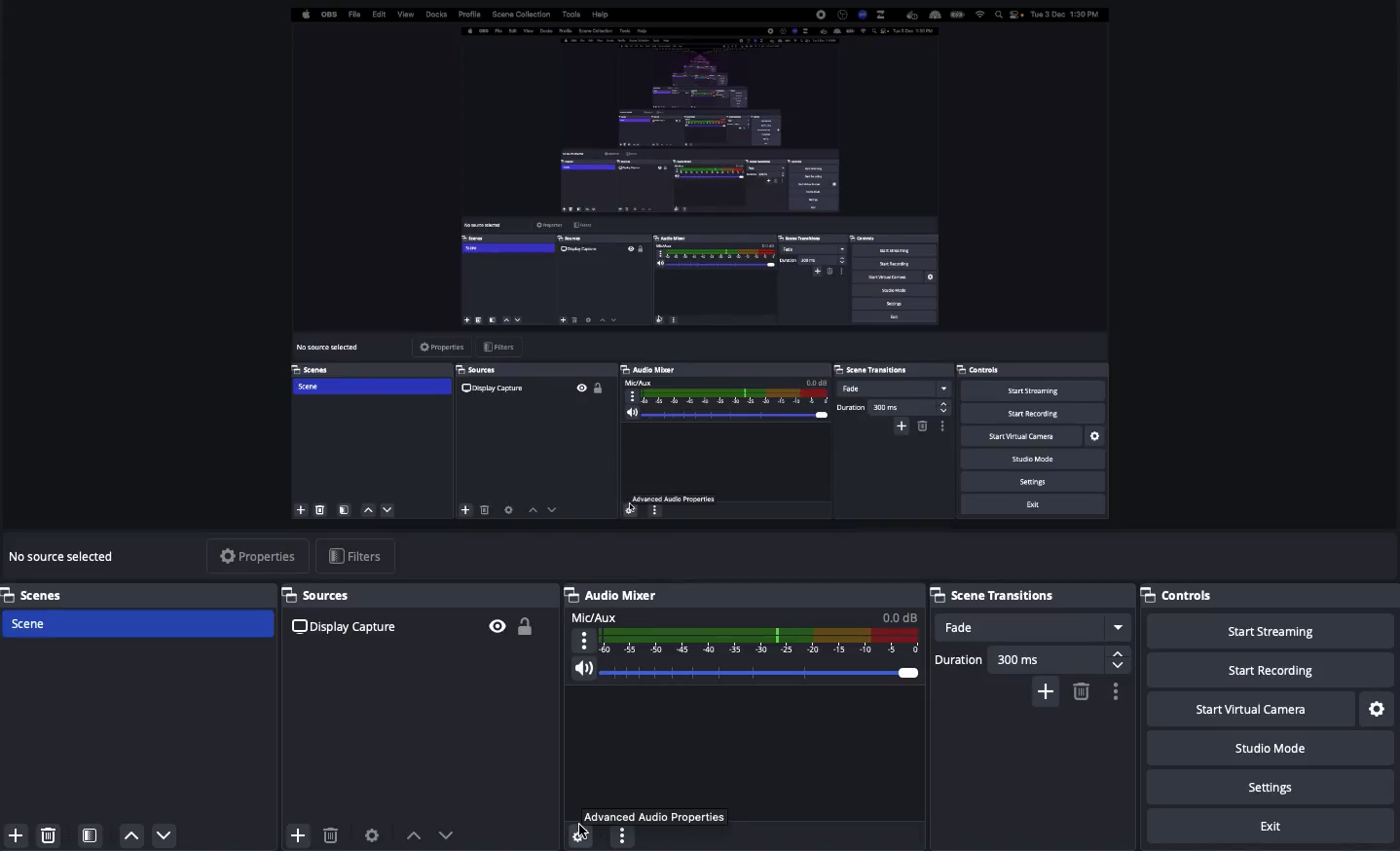 This screenshot has width=1400, height=851. I want to click on Start virtual camera, so click(1253, 708).